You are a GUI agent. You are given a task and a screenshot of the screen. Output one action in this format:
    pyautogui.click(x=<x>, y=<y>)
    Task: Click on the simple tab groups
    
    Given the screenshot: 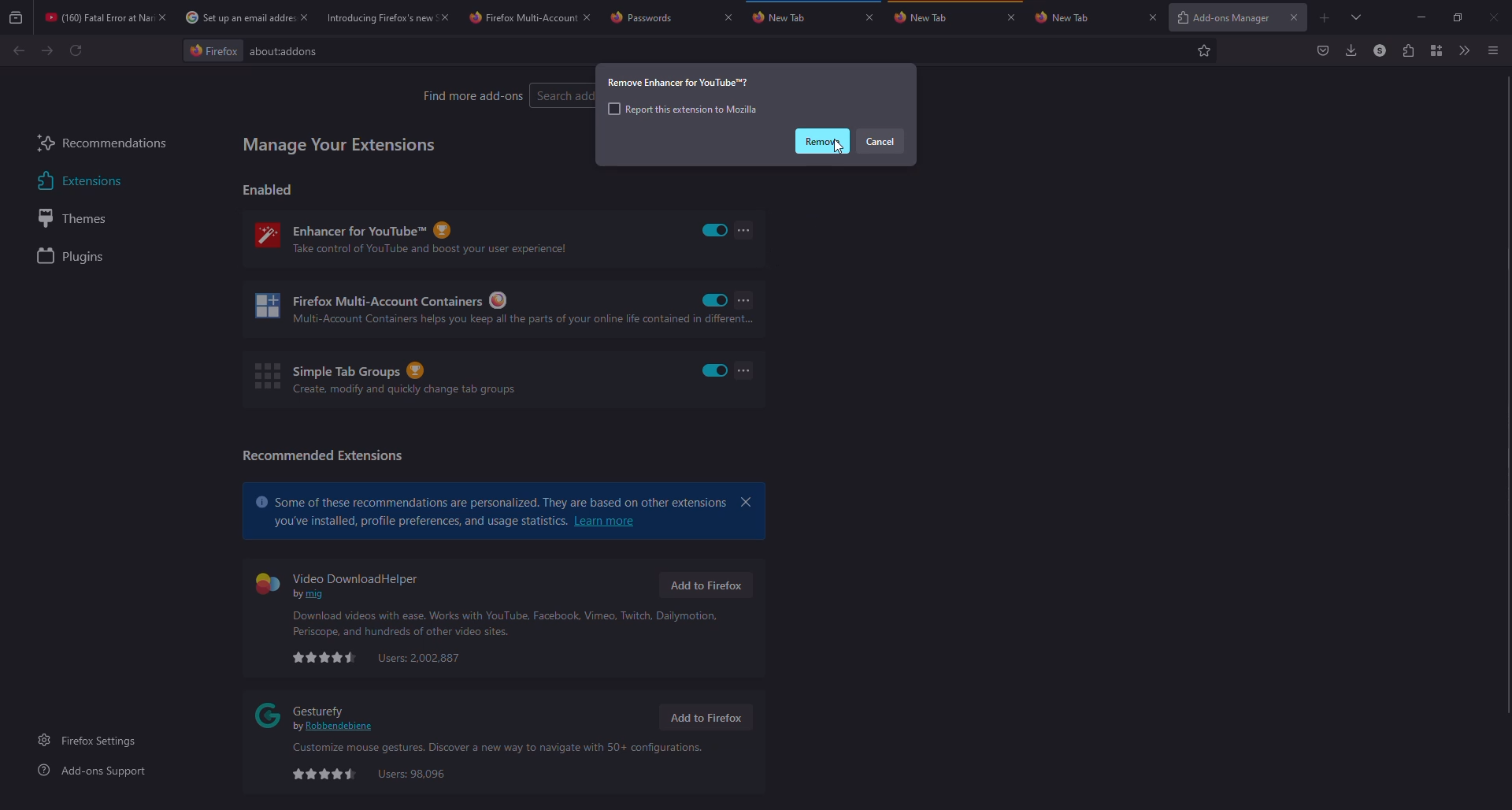 What is the action you would take?
    pyautogui.click(x=384, y=378)
    